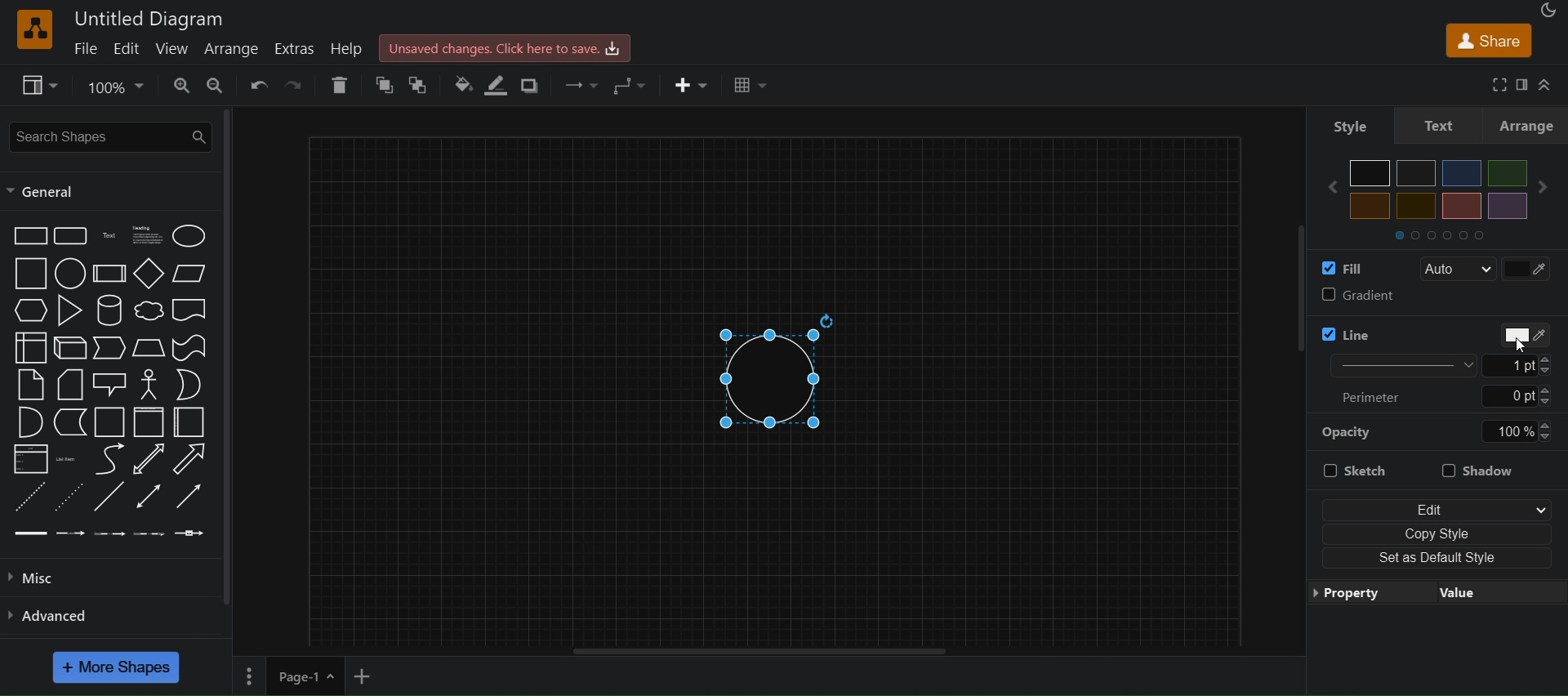 The image size is (1568, 696). What do you see at coordinates (192, 235) in the screenshot?
I see `ellipse` at bounding box center [192, 235].